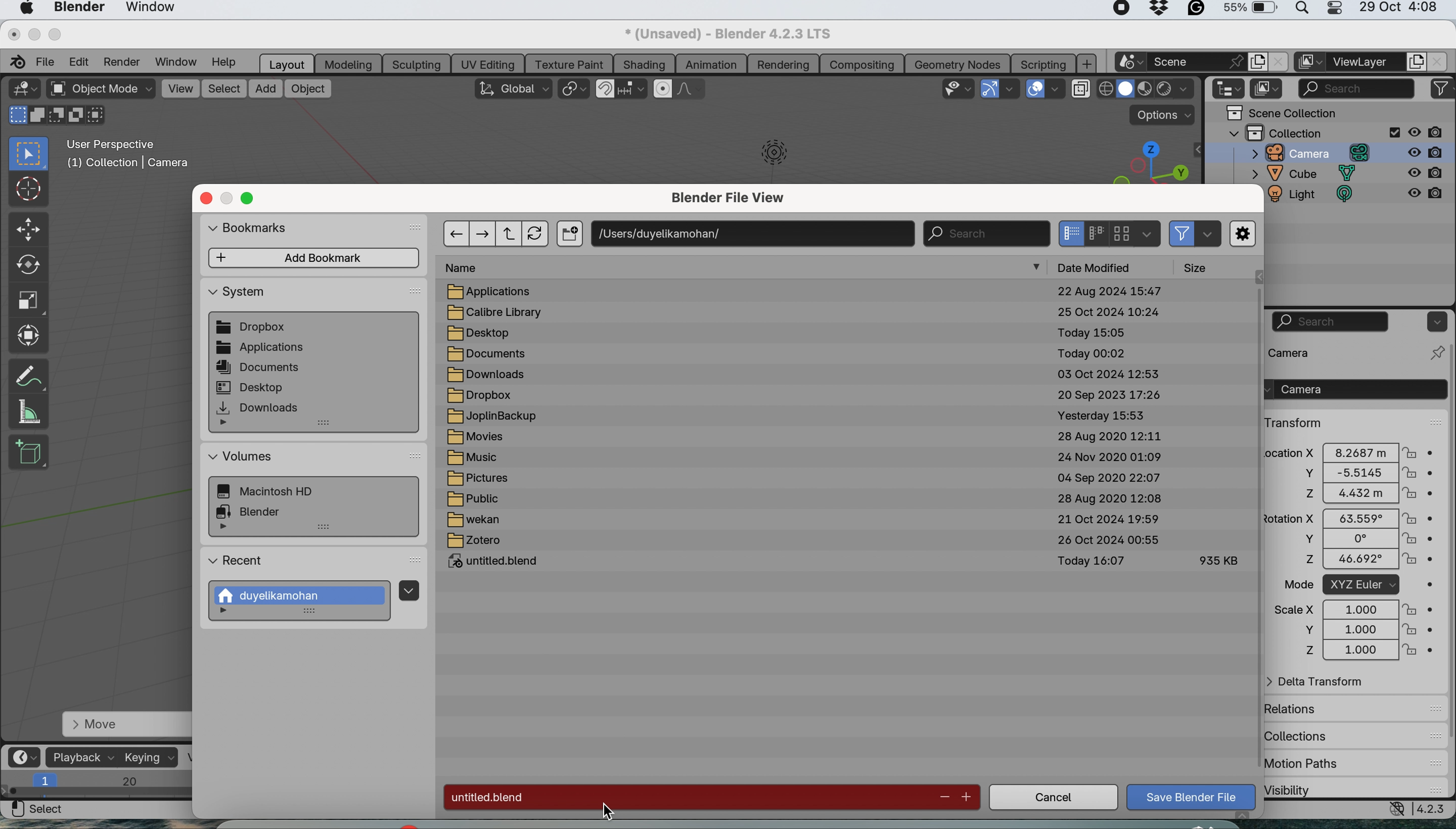 Image resolution: width=1456 pixels, height=829 pixels. Describe the element at coordinates (261, 348) in the screenshot. I see `applications` at that location.